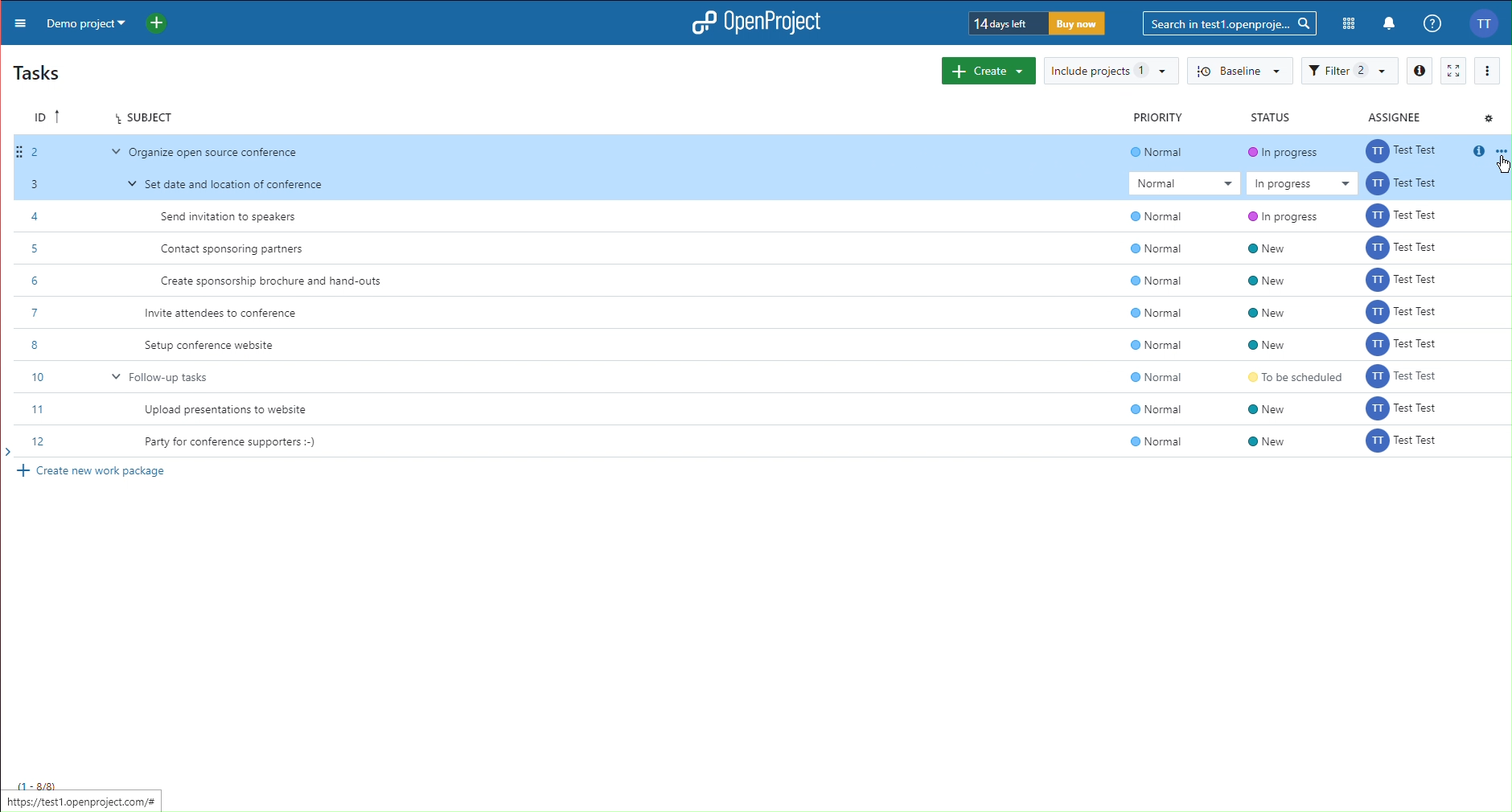 The height and width of the screenshot is (812, 1512). Describe the element at coordinates (1231, 23) in the screenshot. I see `Search bar` at that location.